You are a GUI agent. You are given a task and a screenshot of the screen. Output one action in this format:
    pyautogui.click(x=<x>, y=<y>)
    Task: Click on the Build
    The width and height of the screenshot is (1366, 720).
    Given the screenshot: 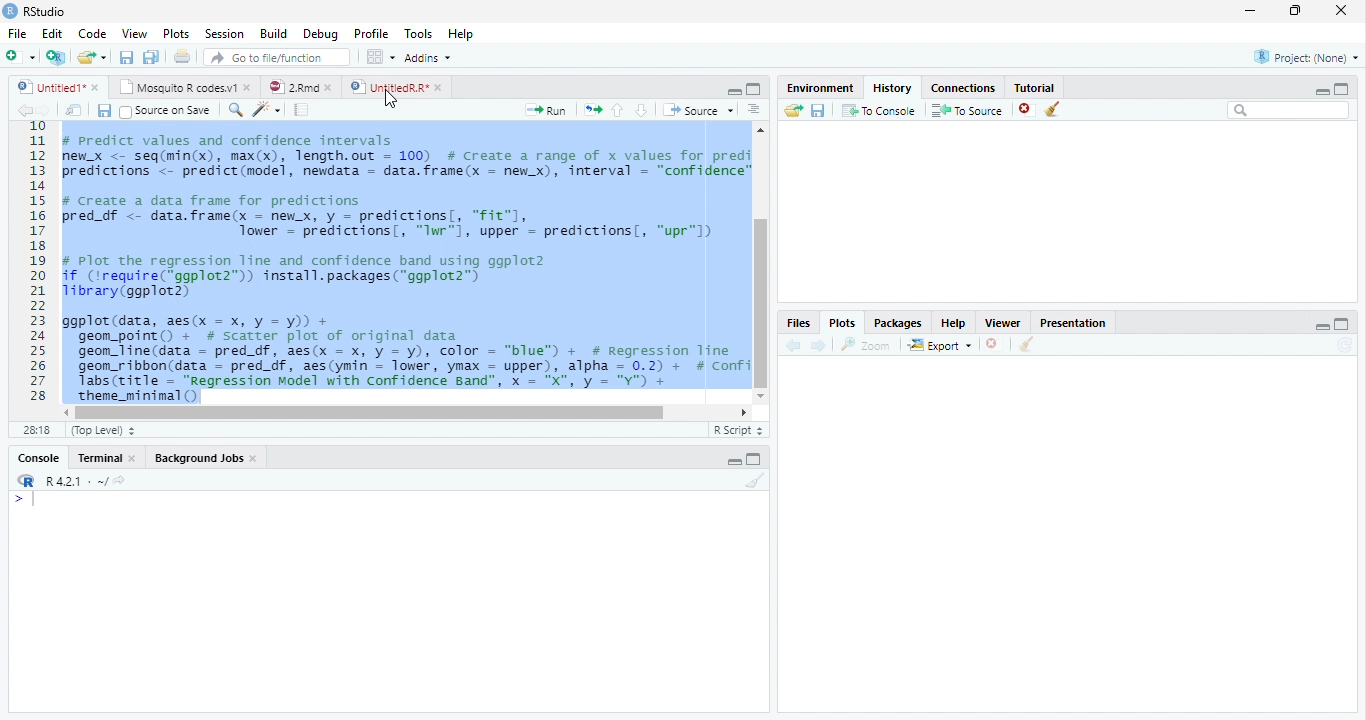 What is the action you would take?
    pyautogui.click(x=274, y=34)
    